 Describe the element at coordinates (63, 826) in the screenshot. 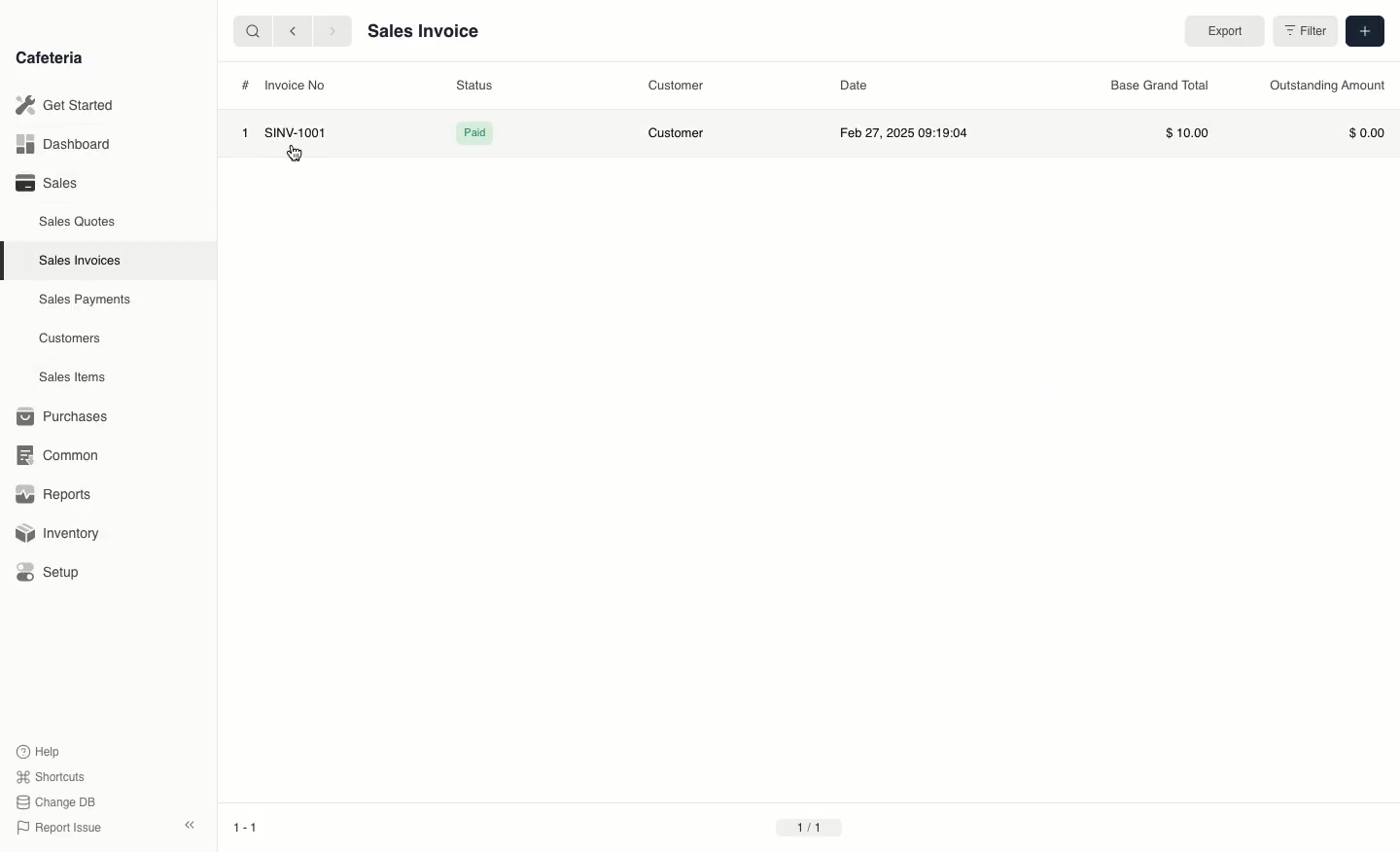

I see `Report Issue` at that location.